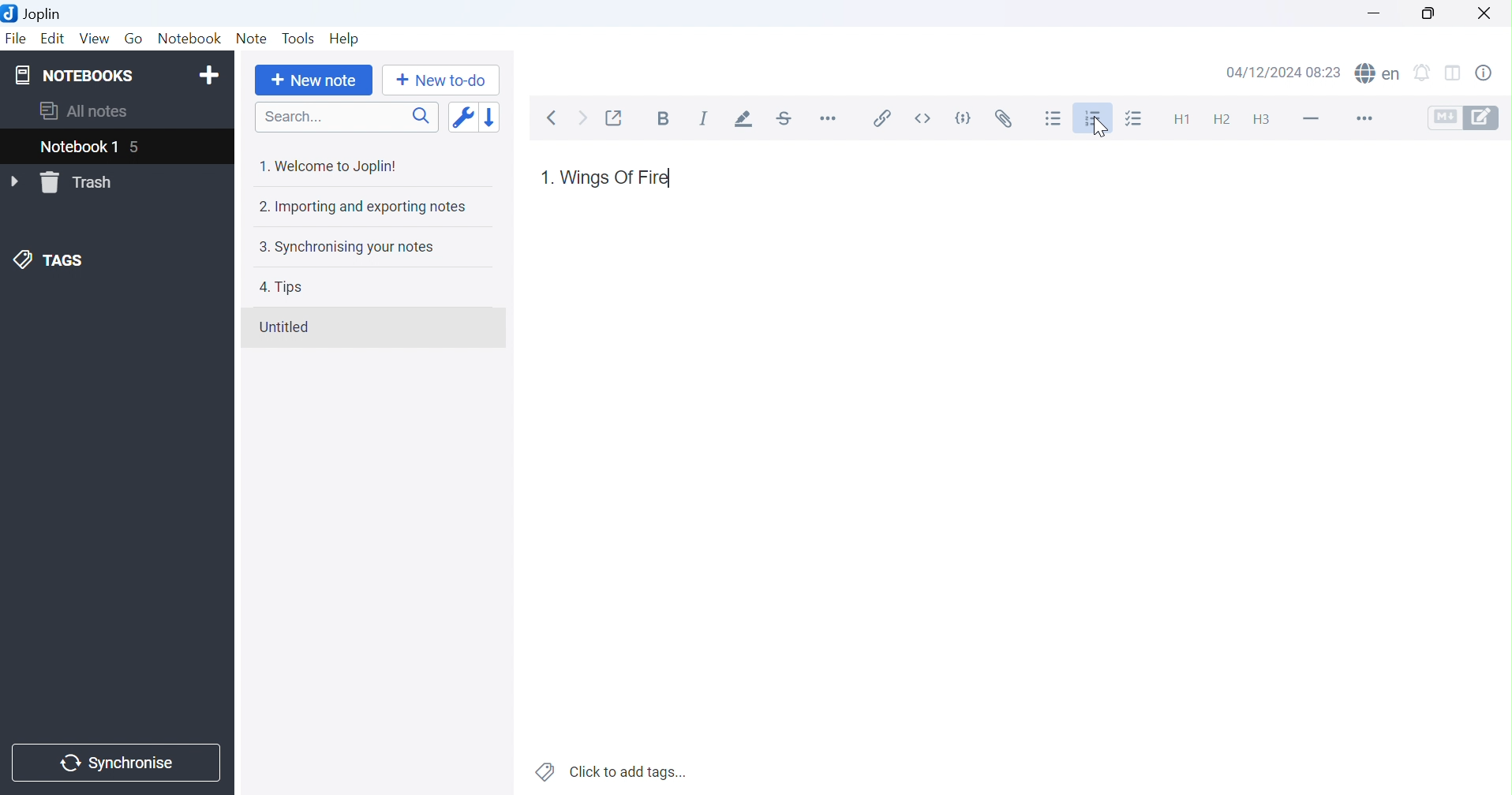 The image size is (1512, 795). What do you see at coordinates (82, 113) in the screenshot?
I see `All notes` at bounding box center [82, 113].